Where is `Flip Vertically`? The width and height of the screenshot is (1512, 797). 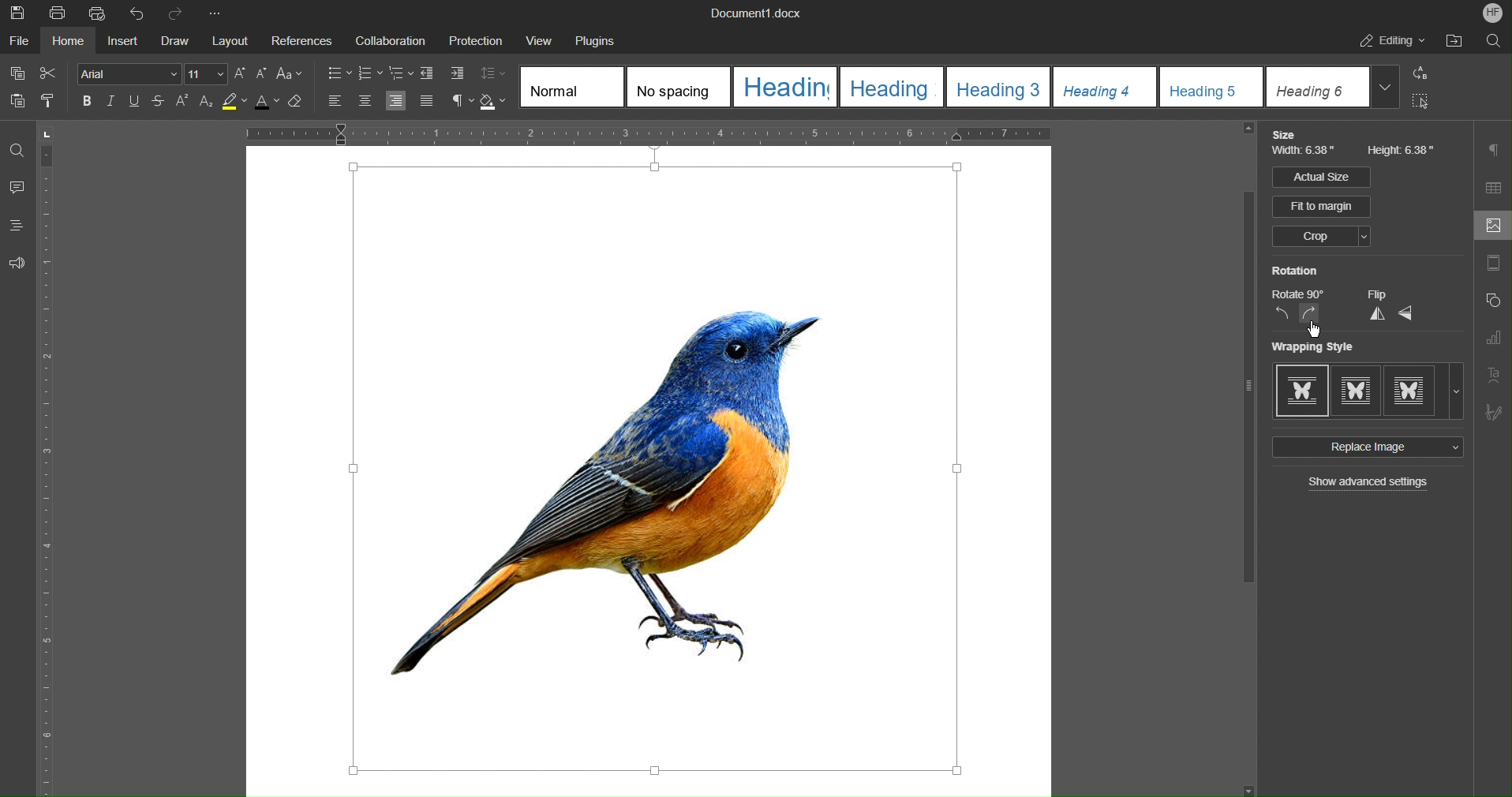 Flip Vertically is located at coordinates (1376, 314).